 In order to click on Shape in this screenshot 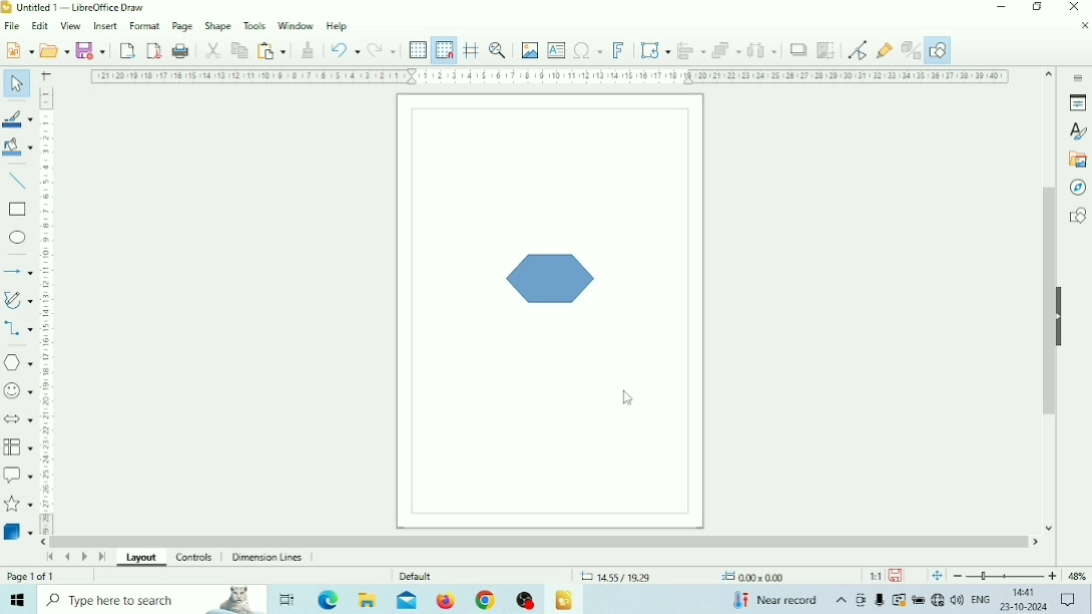, I will do `click(218, 26)`.